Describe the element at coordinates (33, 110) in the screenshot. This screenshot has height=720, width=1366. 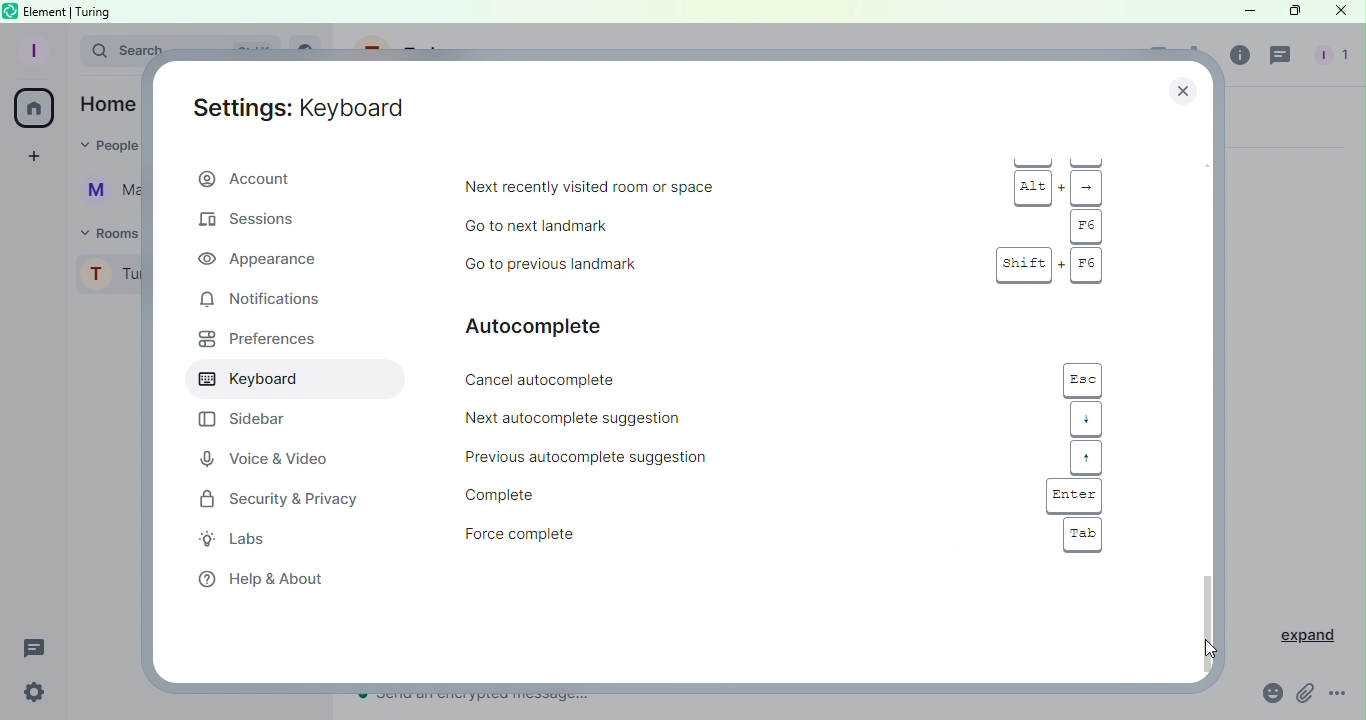
I see `Home` at that location.